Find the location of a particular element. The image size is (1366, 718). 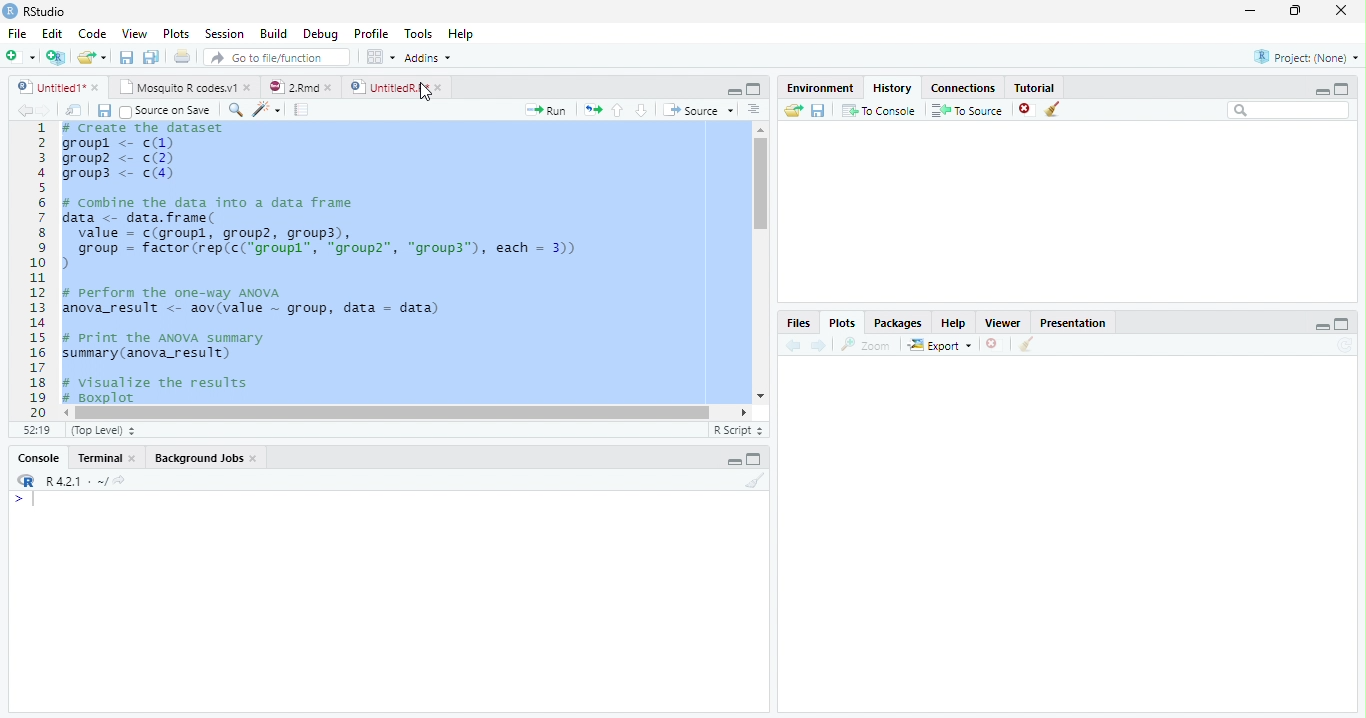

Minimize is located at coordinates (1319, 91).